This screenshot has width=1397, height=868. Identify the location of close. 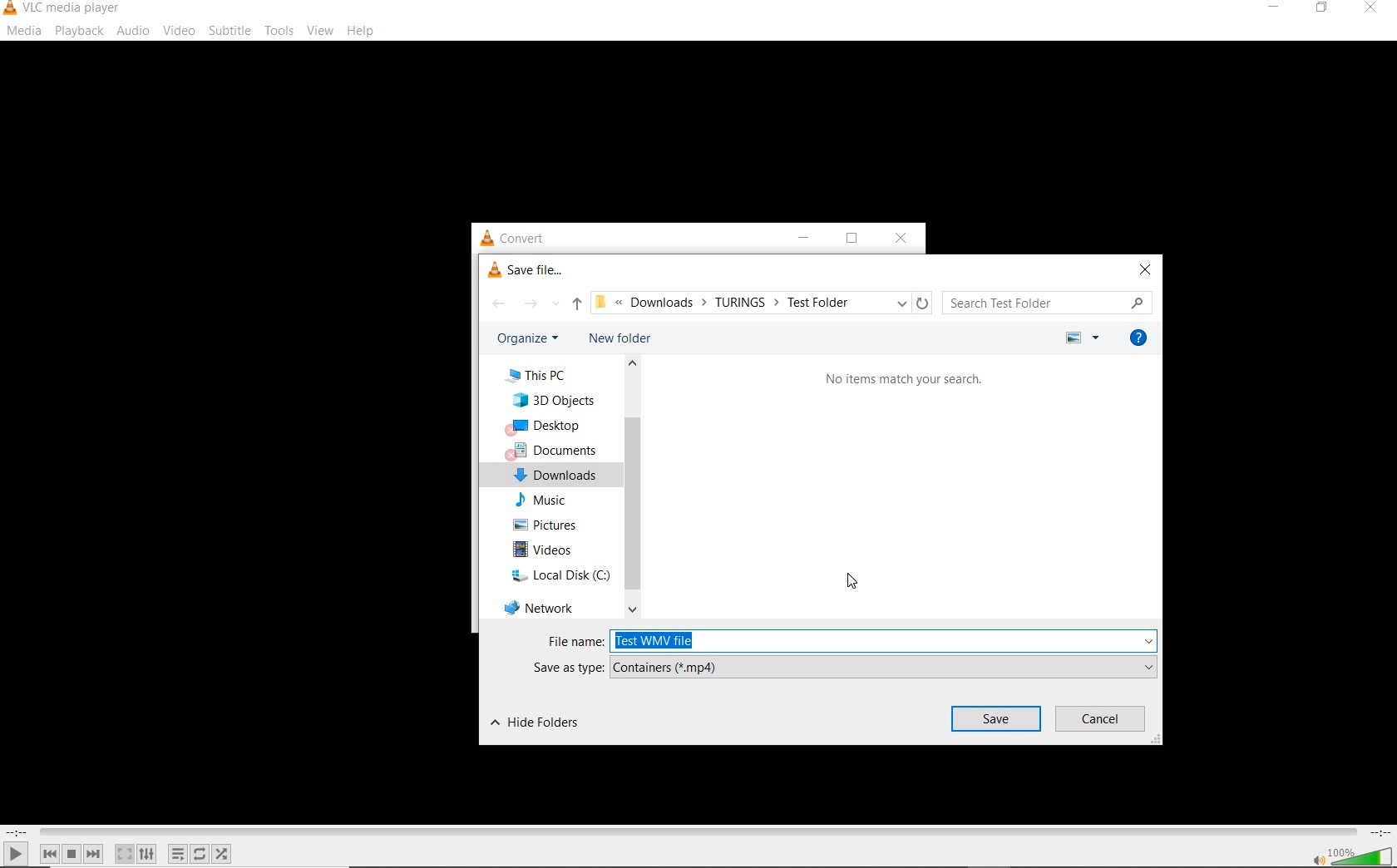
(1369, 11).